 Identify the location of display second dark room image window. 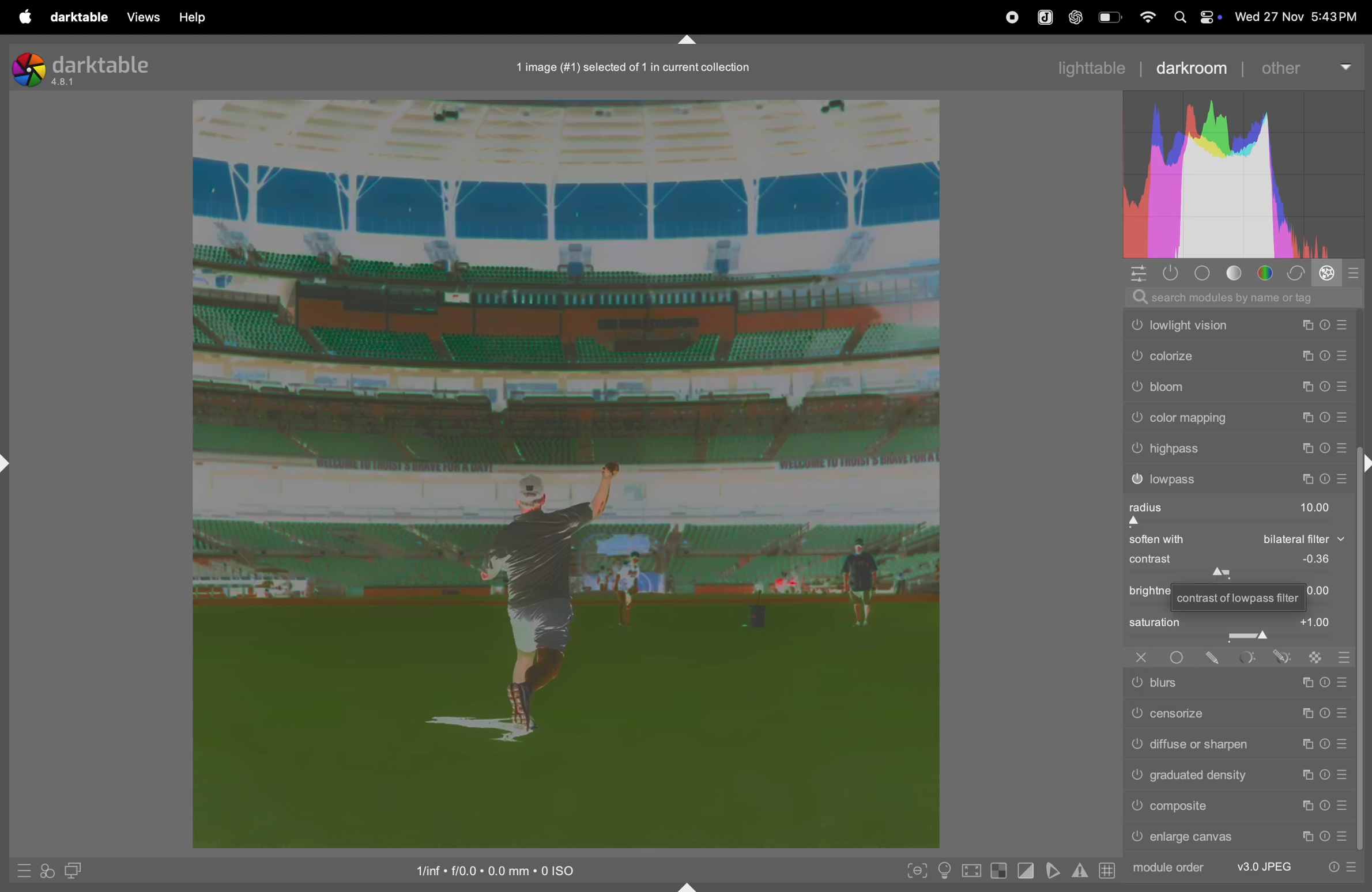
(79, 871).